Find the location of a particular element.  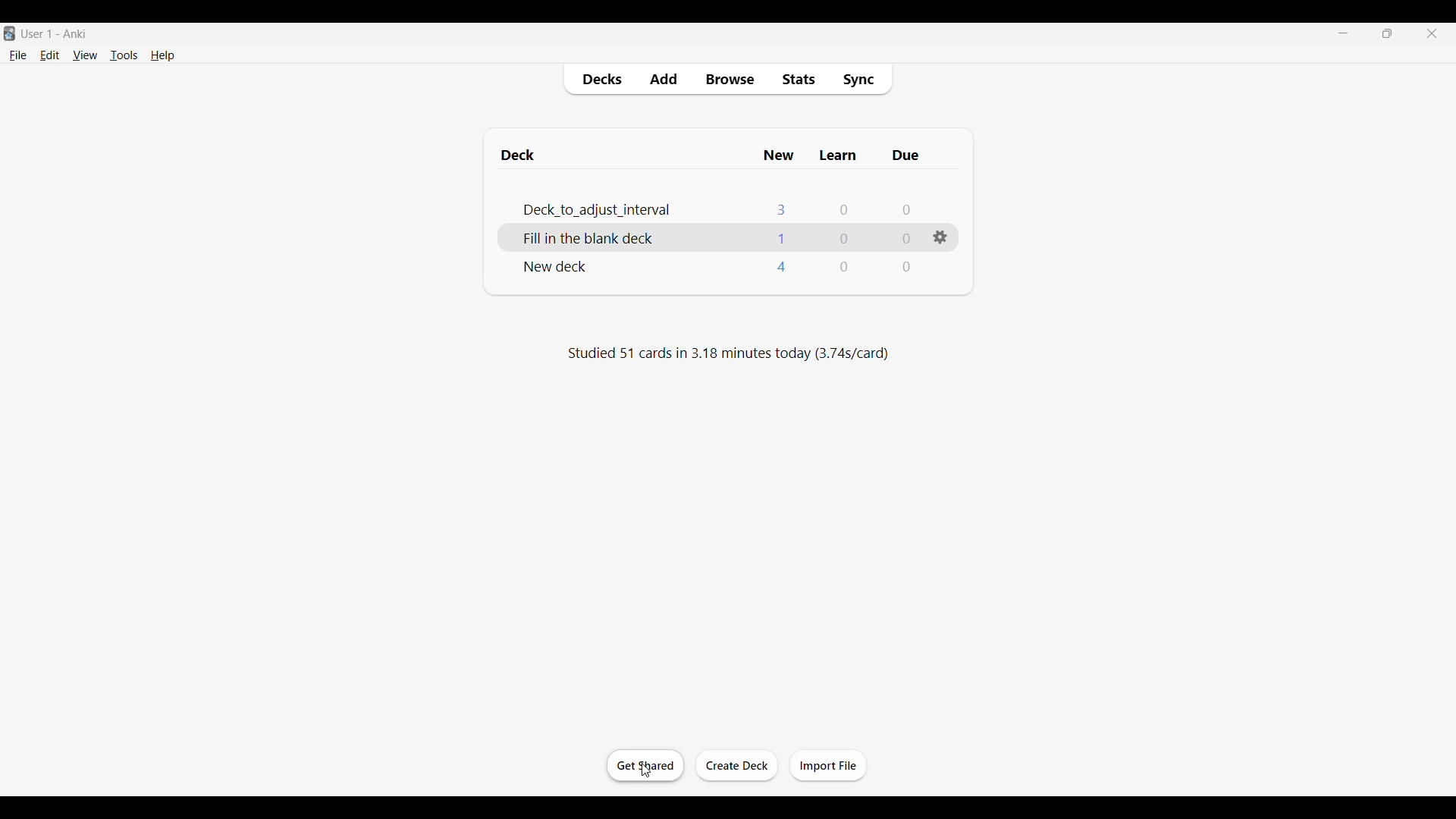

4 is located at coordinates (780, 268).